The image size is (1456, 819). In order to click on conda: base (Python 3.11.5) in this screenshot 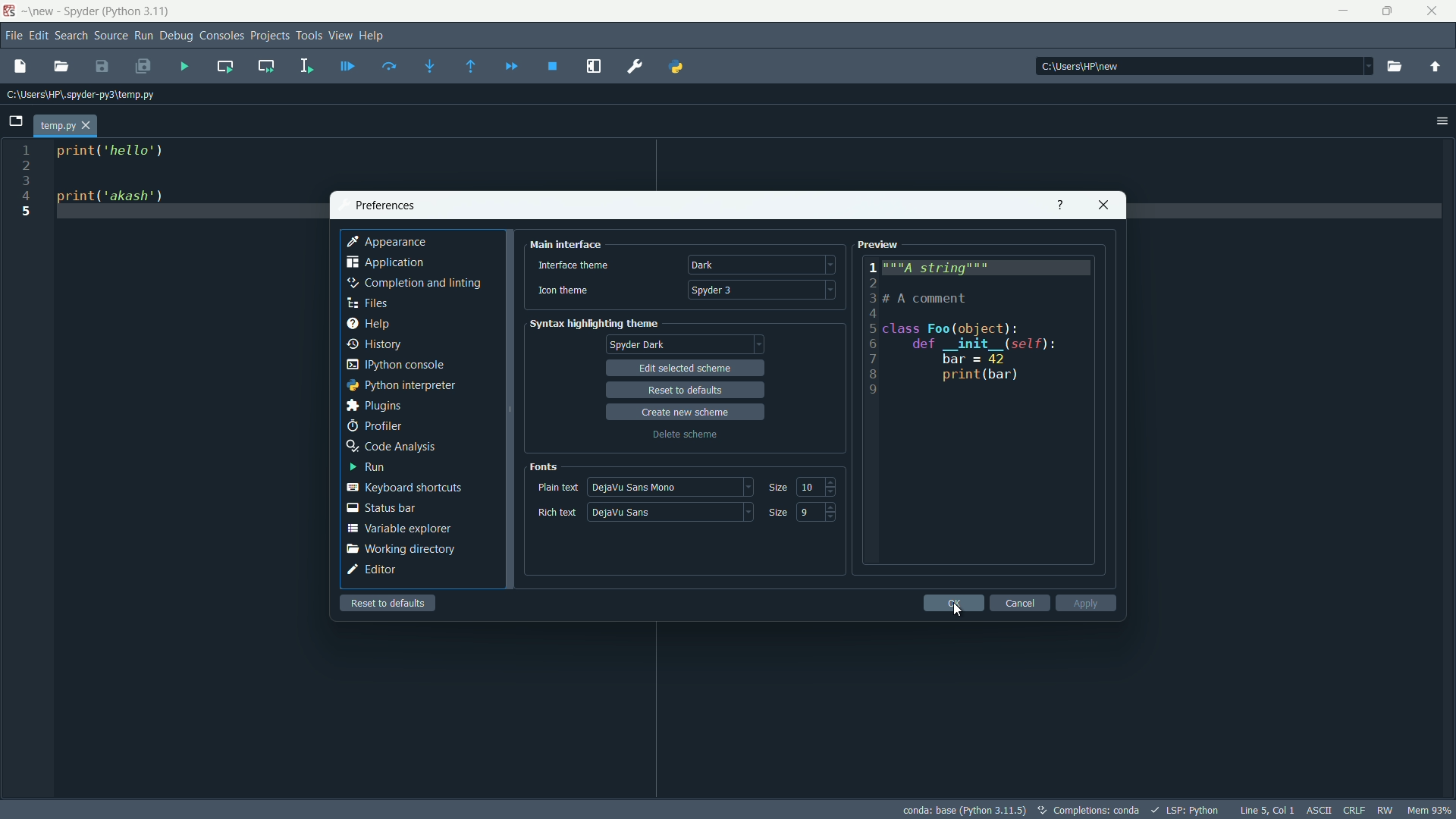, I will do `click(964, 809)`.